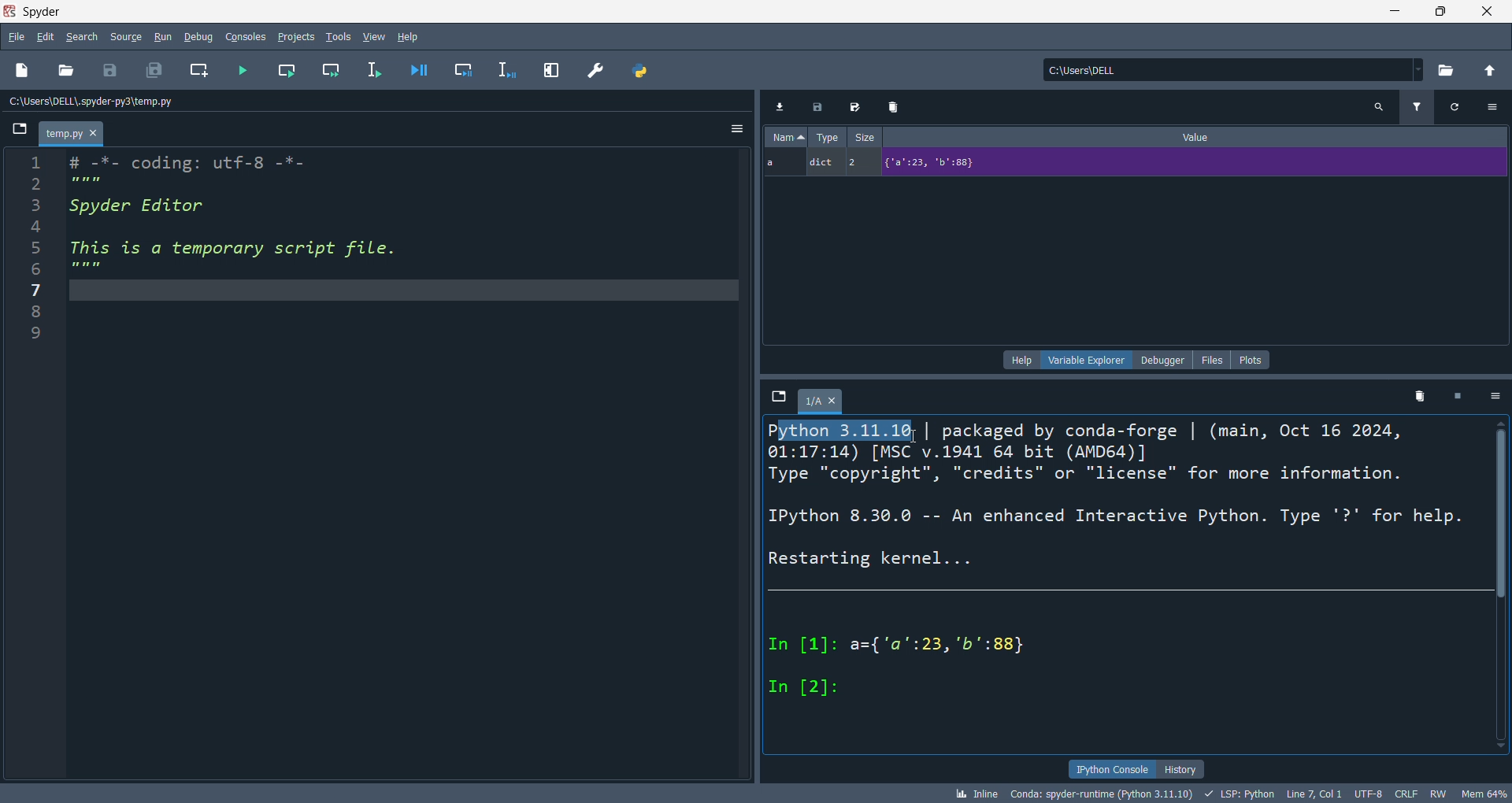  What do you see at coordinates (250, 36) in the screenshot?
I see `consoles` at bounding box center [250, 36].